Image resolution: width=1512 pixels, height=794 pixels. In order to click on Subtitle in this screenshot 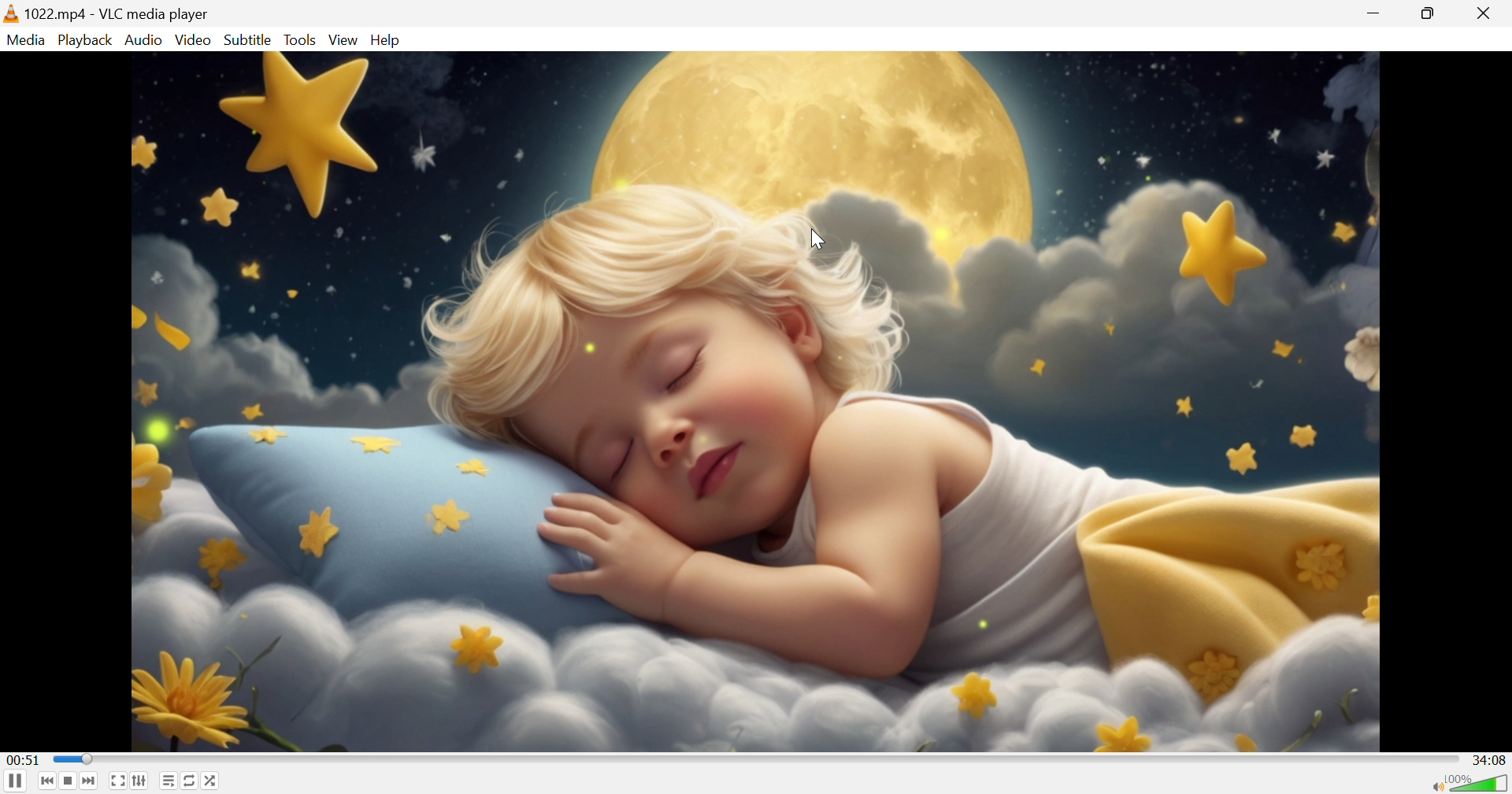, I will do `click(248, 39)`.